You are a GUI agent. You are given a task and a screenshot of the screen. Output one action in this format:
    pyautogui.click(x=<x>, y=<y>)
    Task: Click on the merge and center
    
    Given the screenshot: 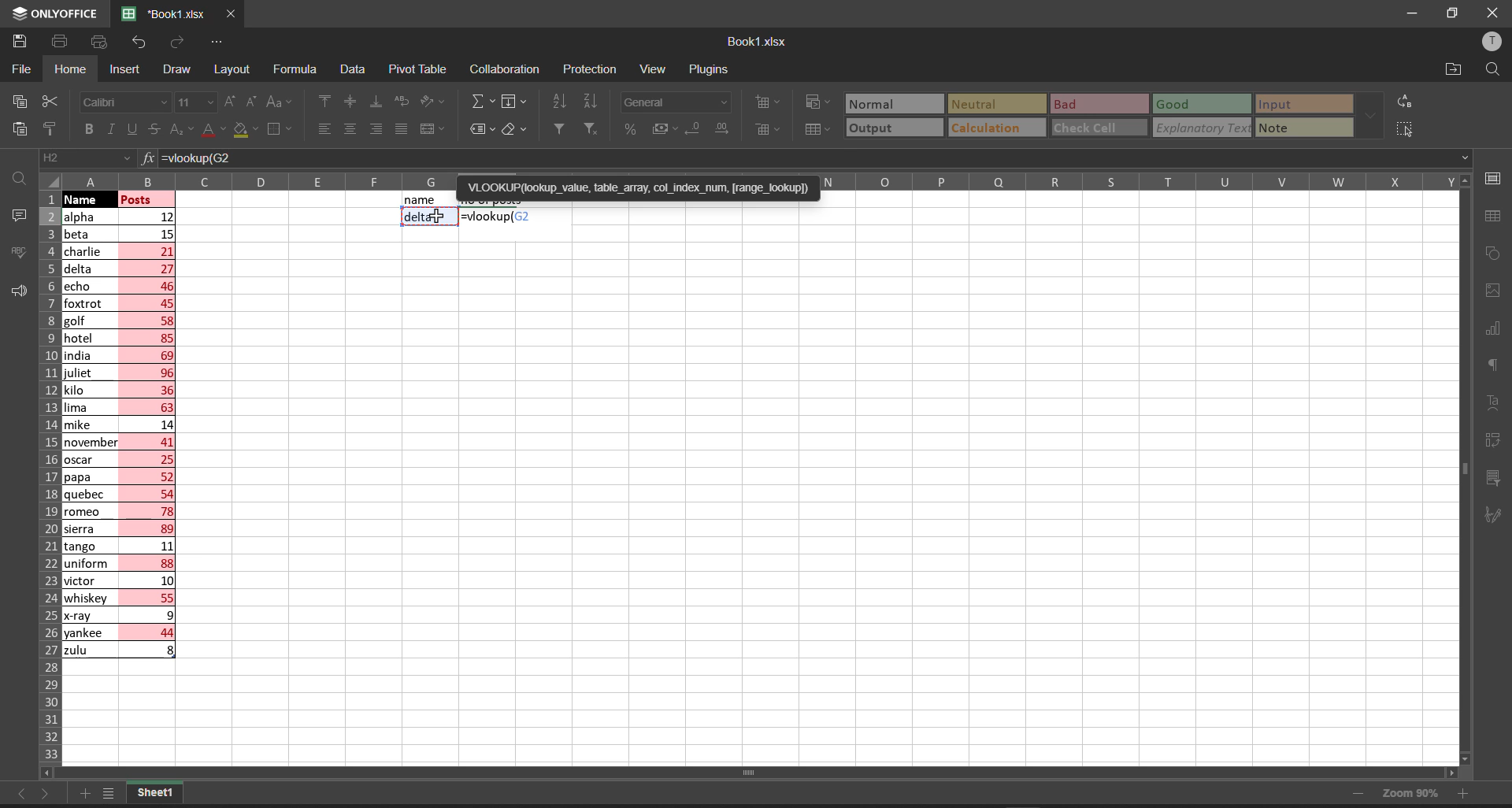 What is the action you would take?
    pyautogui.click(x=433, y=130)
    